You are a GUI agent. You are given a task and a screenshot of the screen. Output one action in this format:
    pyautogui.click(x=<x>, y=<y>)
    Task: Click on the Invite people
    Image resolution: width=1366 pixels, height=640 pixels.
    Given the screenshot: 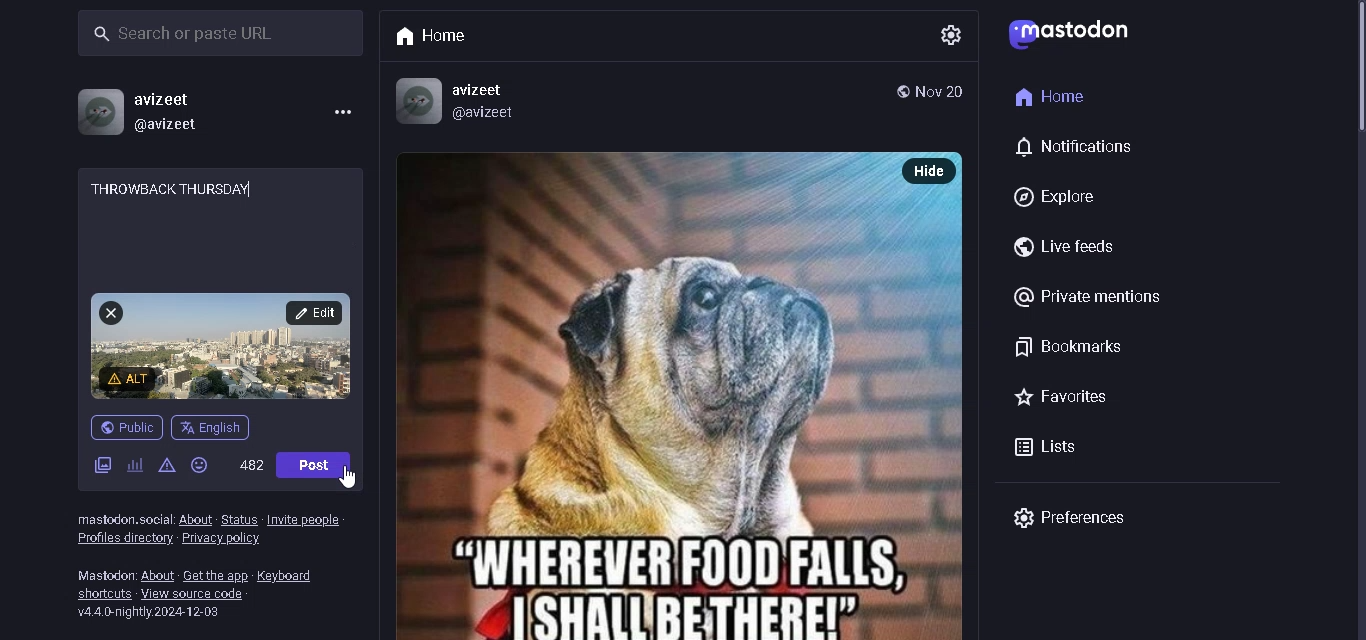 What is the action you would take?
    pyautogui.click(x=302, y=517)
    